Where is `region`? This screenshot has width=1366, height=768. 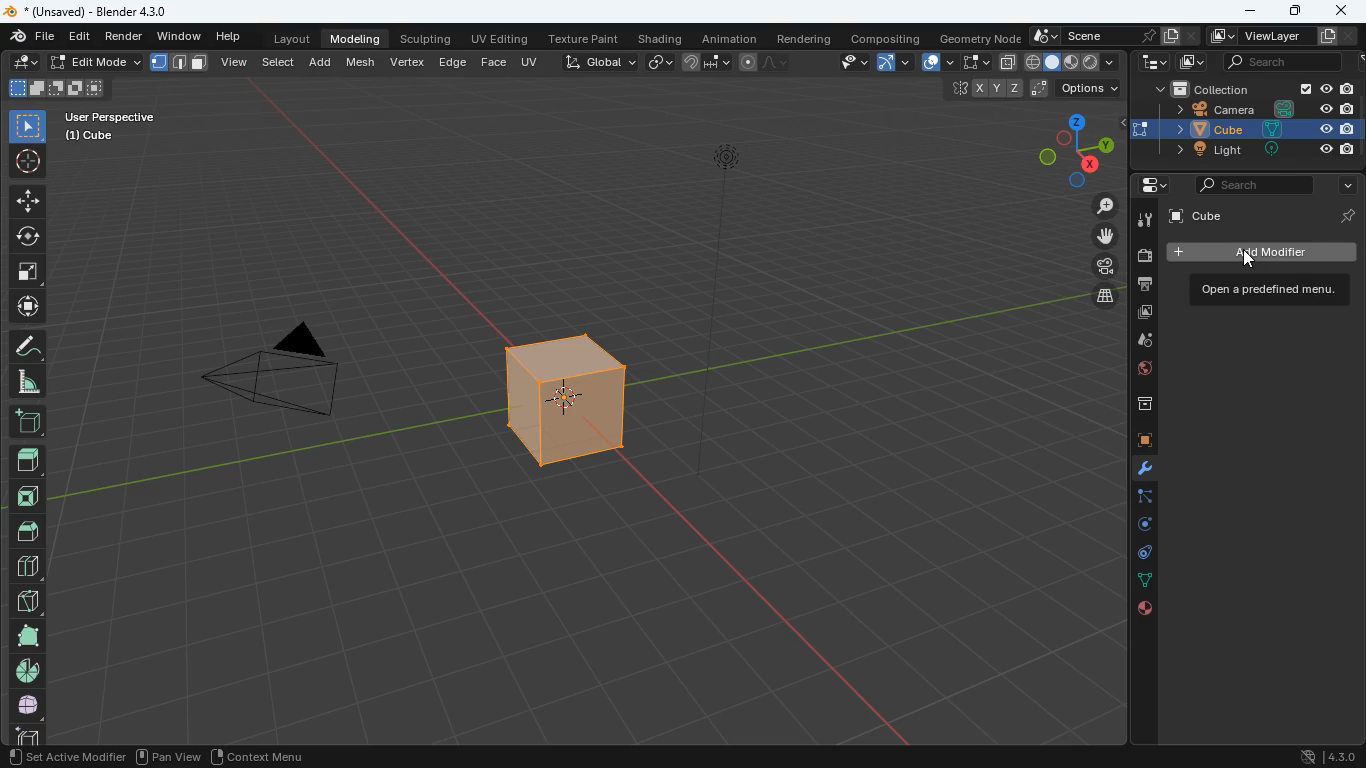 region is located at coordinates (107, 759).